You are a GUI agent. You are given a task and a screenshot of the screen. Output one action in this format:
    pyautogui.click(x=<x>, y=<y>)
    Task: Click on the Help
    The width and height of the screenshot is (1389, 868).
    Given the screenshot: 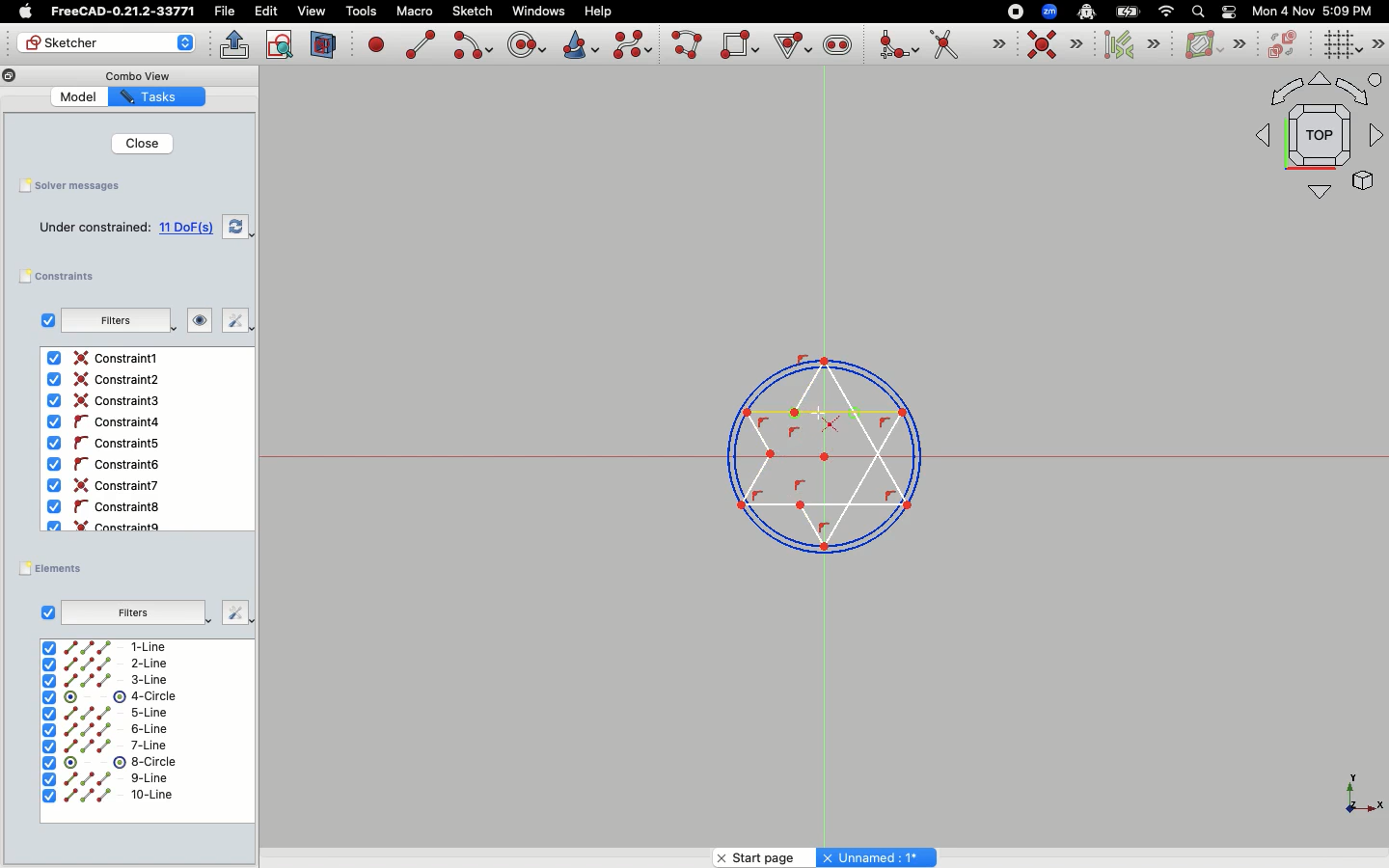 What is the action you would take?
    pyautogui.click(x=599, y=10)
    